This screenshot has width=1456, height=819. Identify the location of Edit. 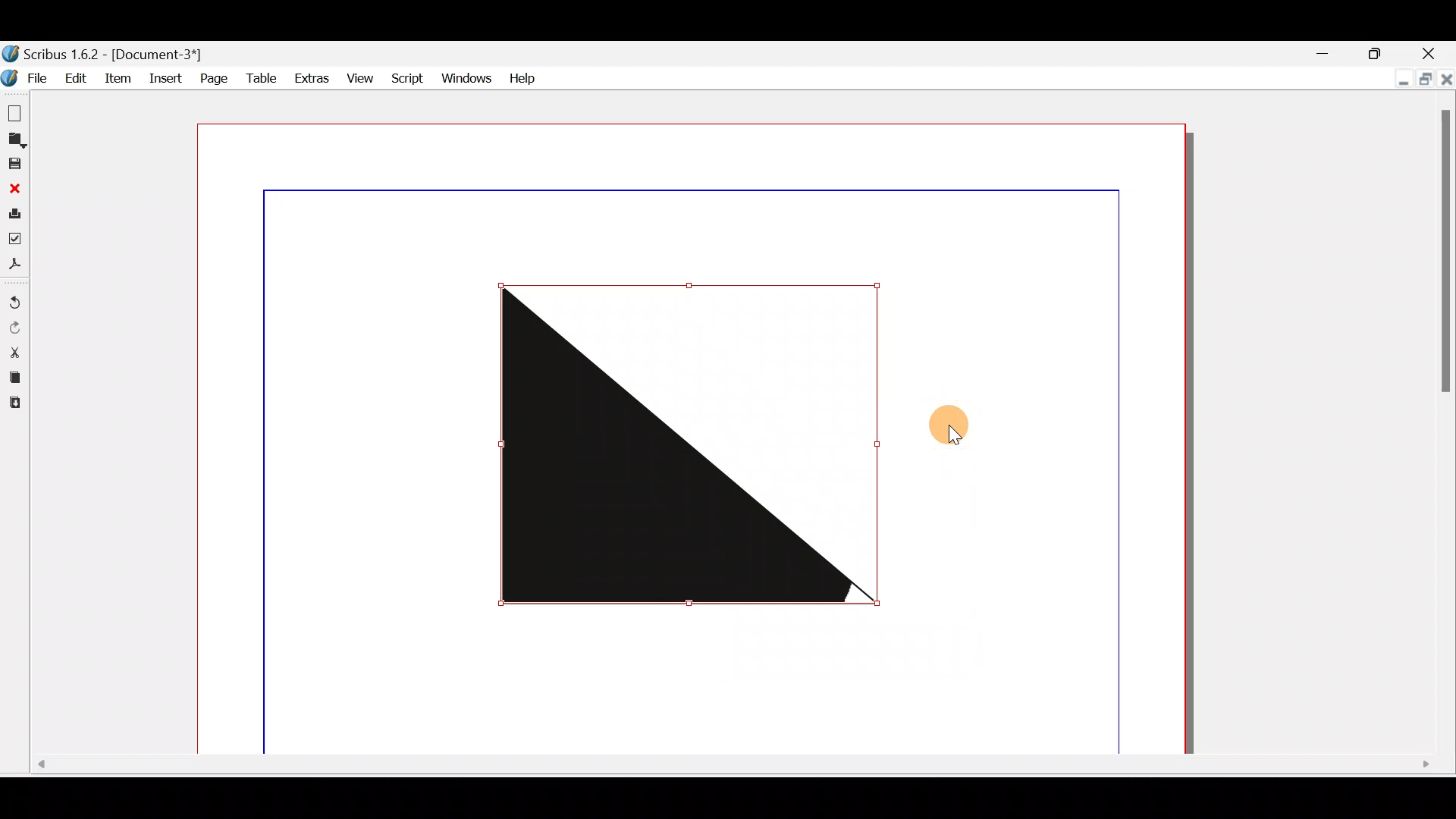
(74, 77).